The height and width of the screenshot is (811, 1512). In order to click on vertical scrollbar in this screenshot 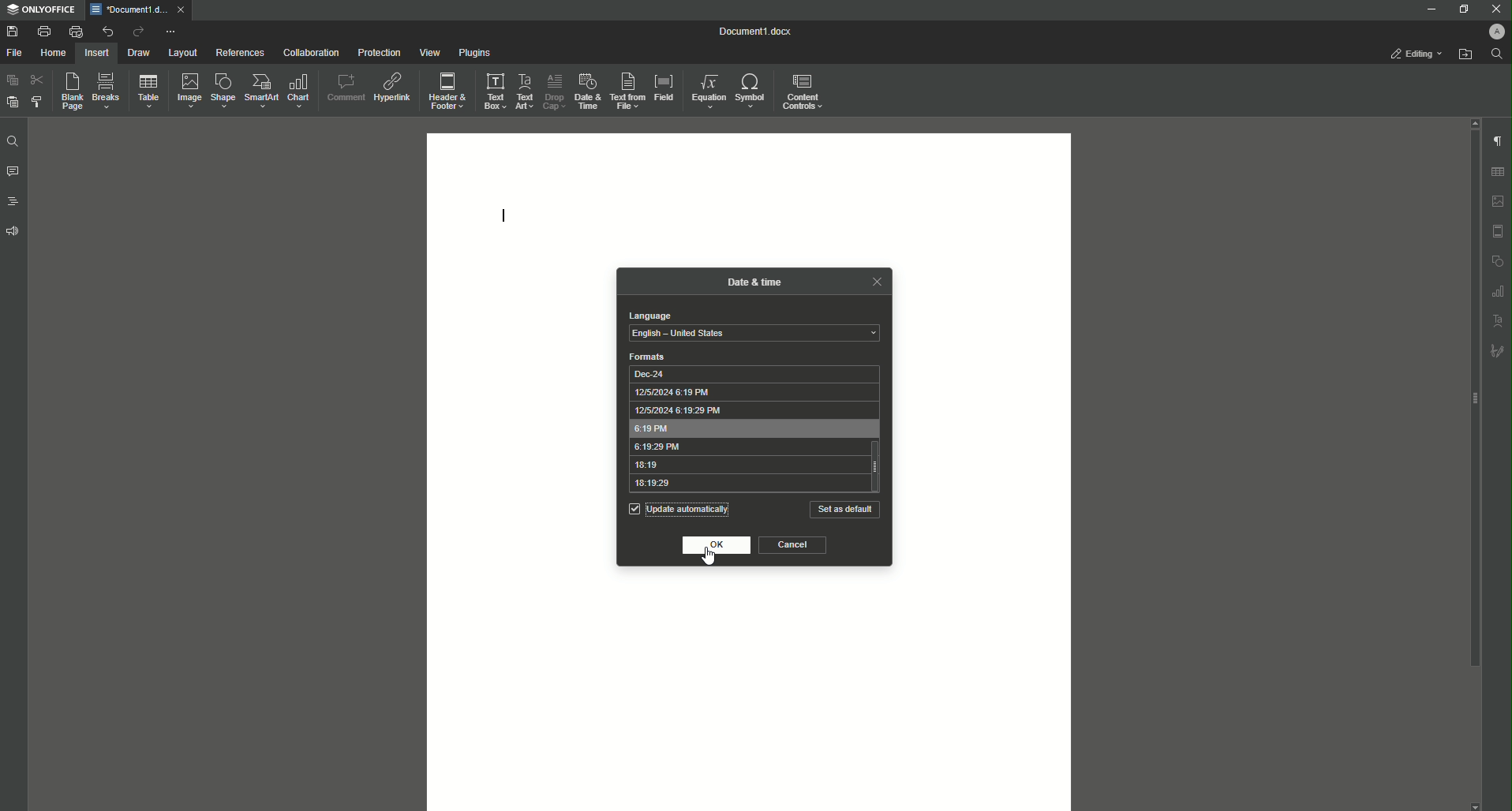, I will do `click(878, 465)`.